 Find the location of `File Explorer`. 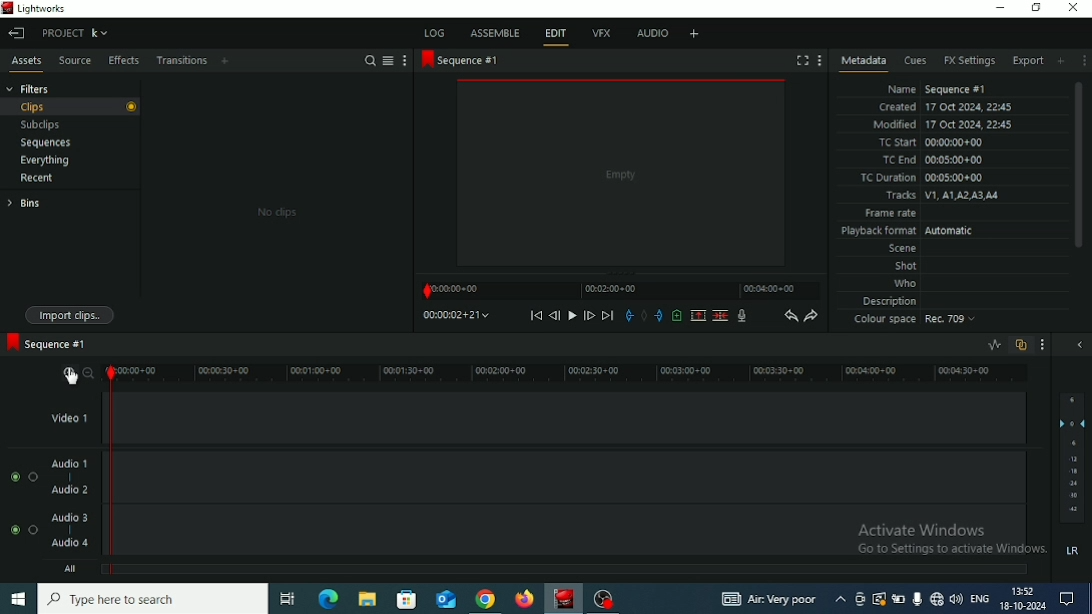

File Explorer is located at coordinates (367, 600).